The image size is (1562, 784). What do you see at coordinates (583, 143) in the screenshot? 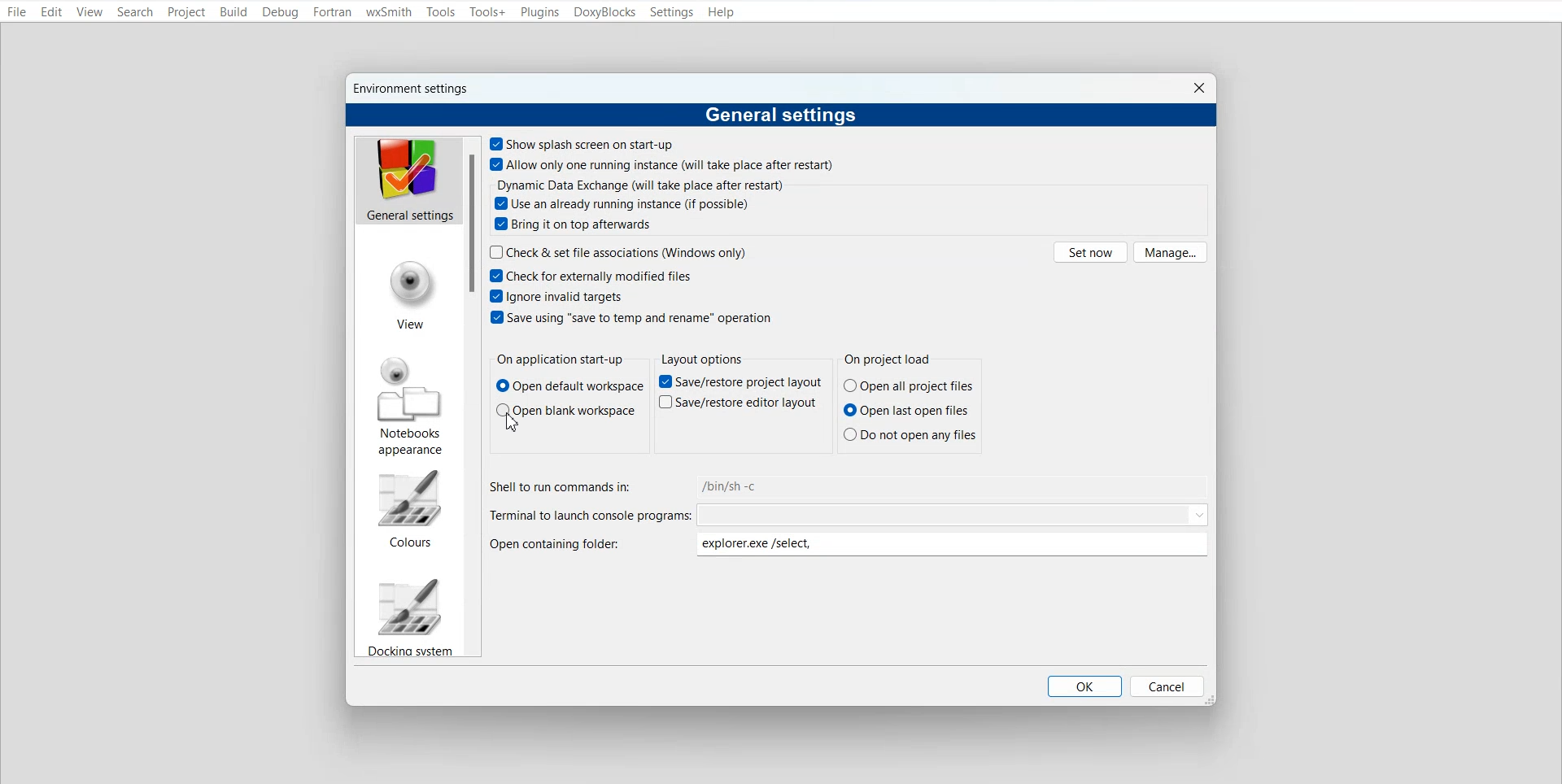
I see `Show splash screen on start-up` at bounding box center [583, 143].